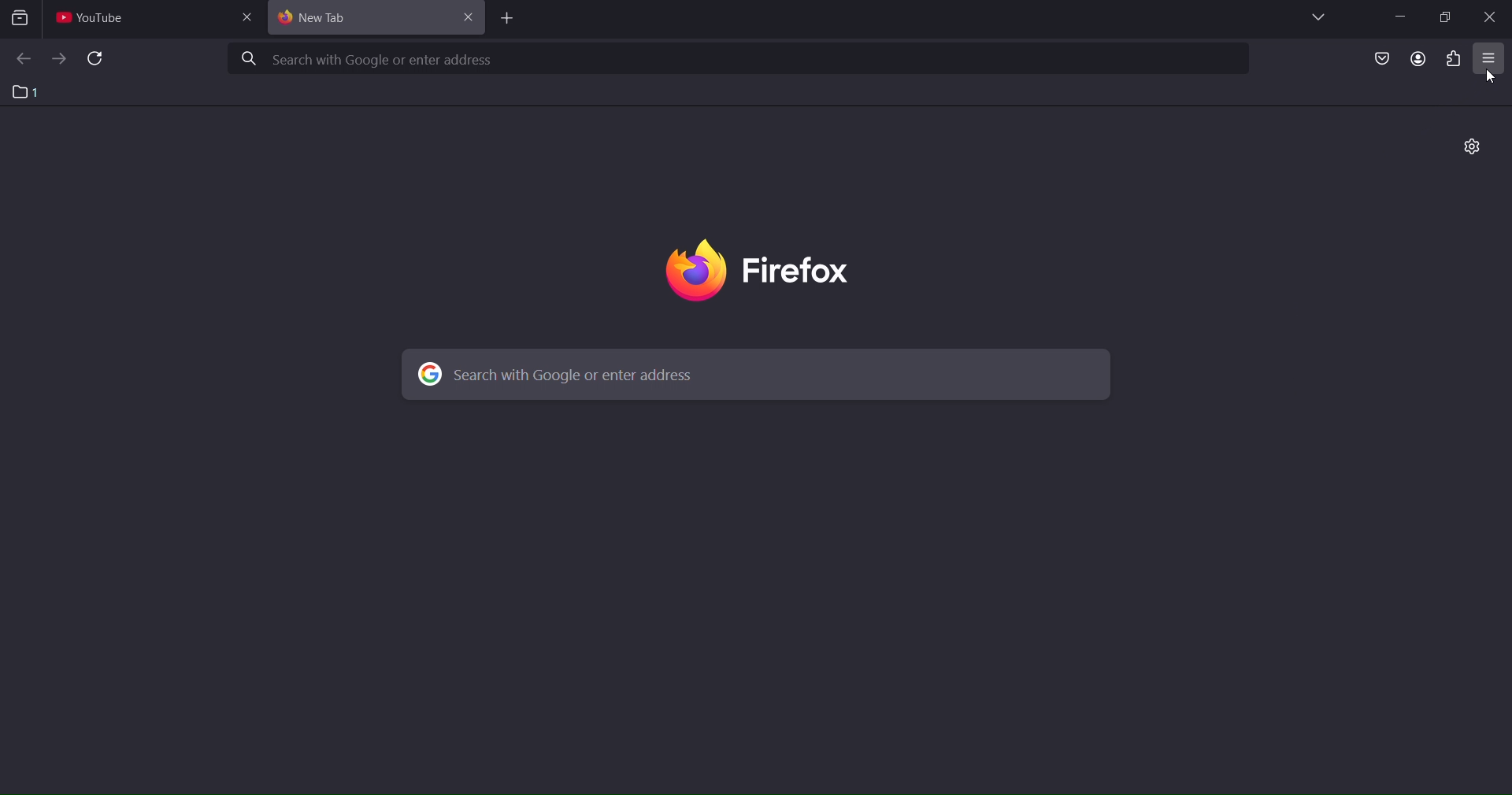 This screenshot has height=795, width=1512. What do you see at coordinates (26, 91) in the screenshot?
I see `1` at bounding box center [26, 91].